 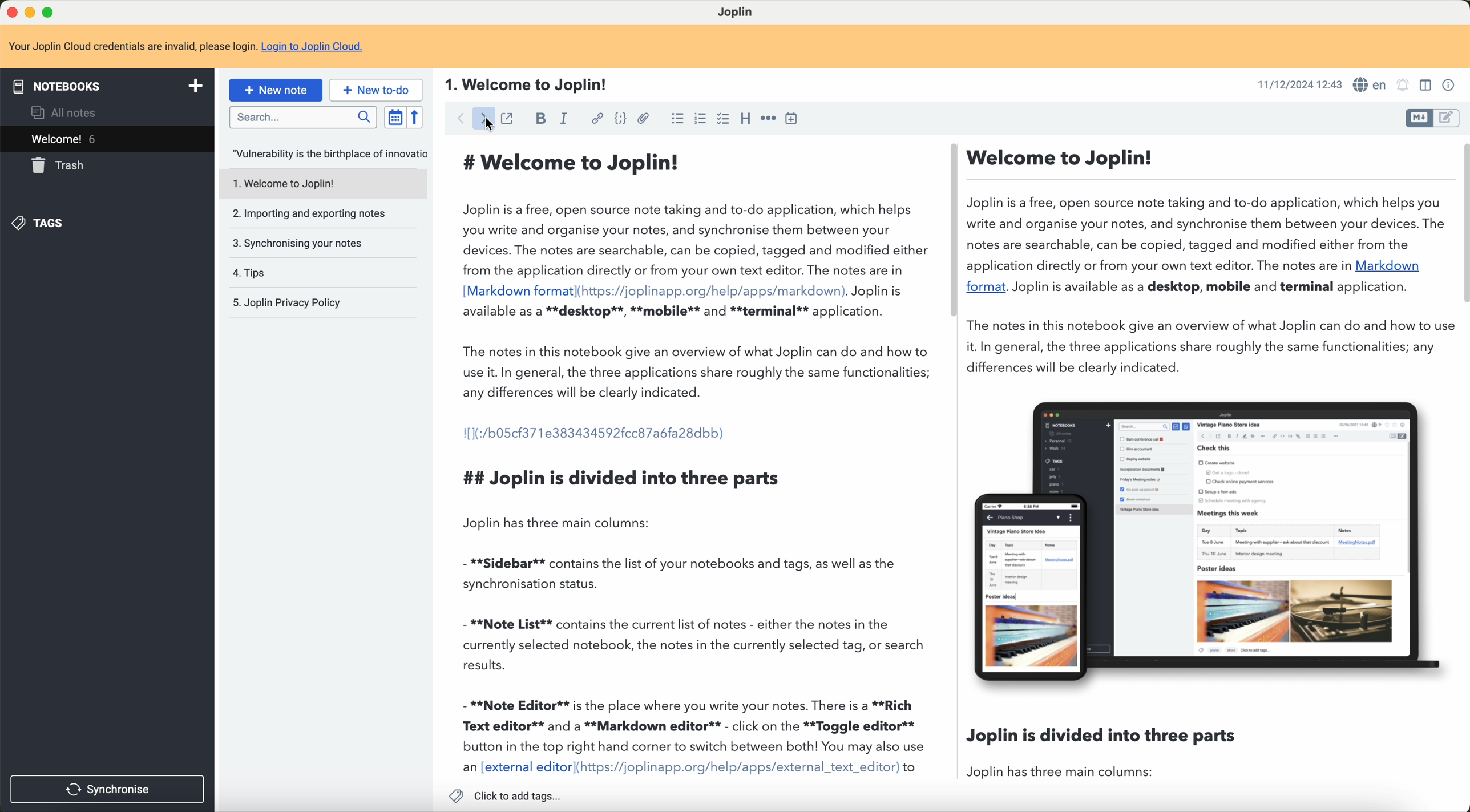 I want to click on format., so click(x=988, y=287).